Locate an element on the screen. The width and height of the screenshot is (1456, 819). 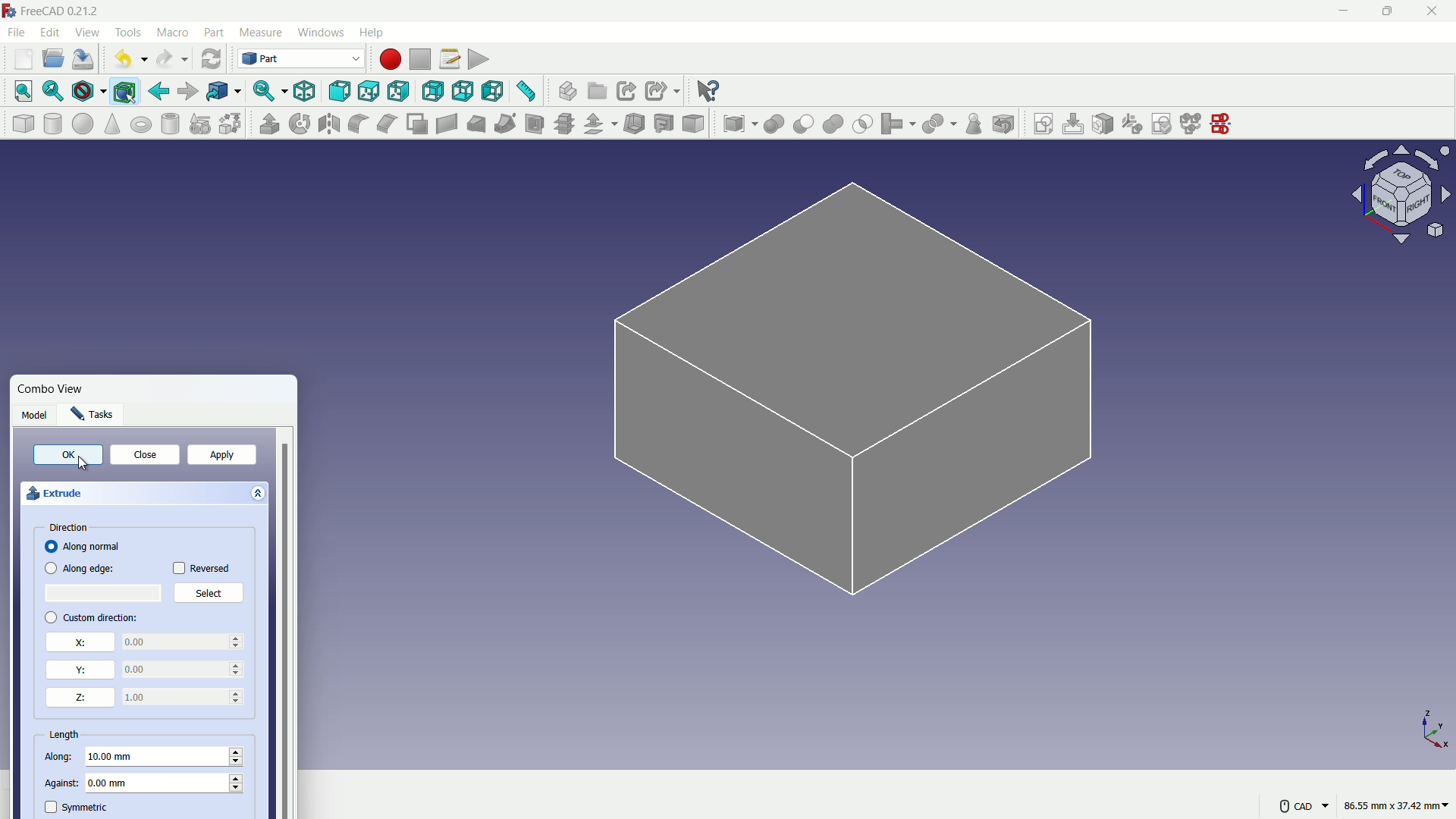
0.00 is located at coordinates (185, 668).